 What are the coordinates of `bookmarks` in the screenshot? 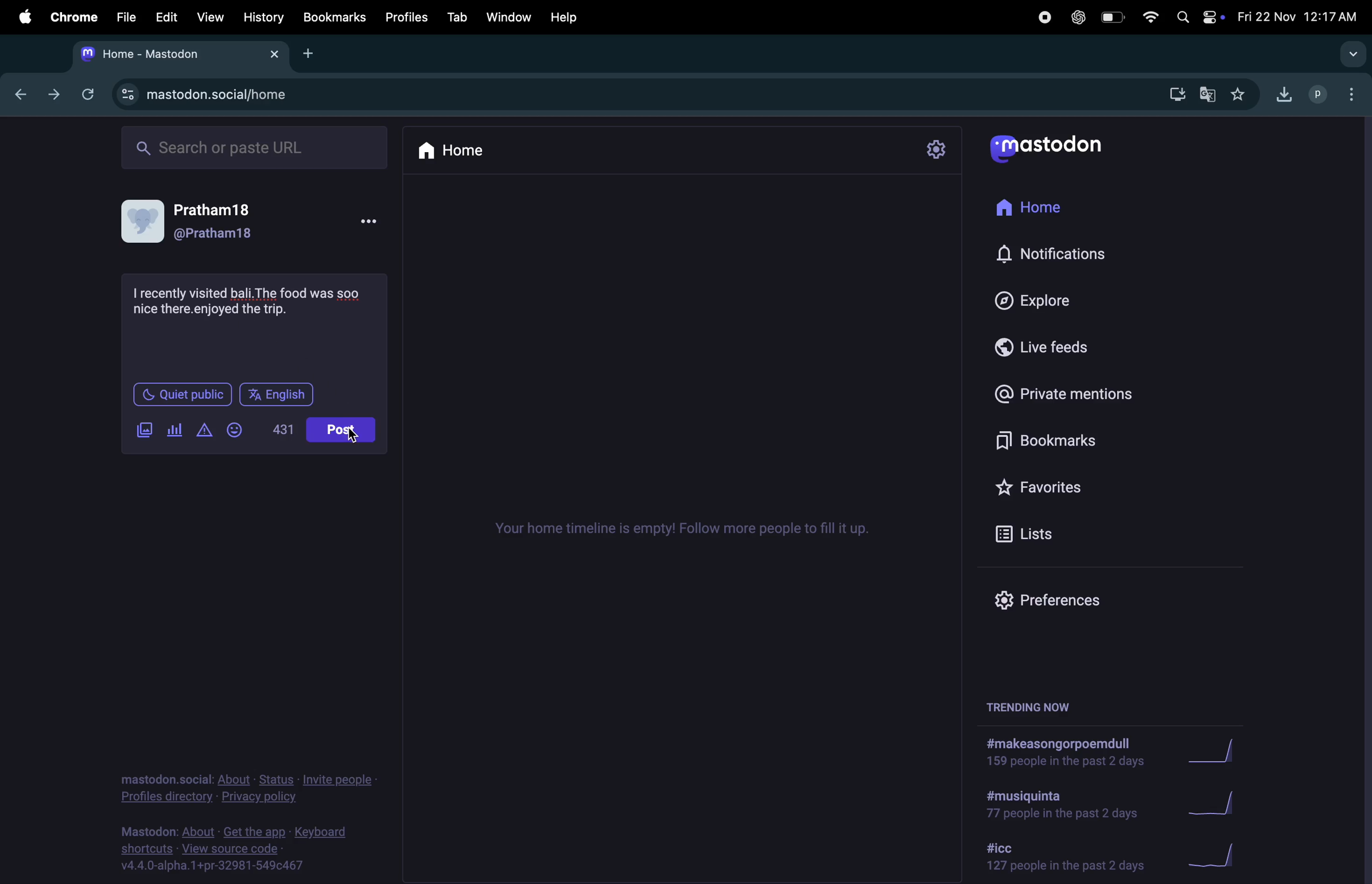 It's located at (335, 17).